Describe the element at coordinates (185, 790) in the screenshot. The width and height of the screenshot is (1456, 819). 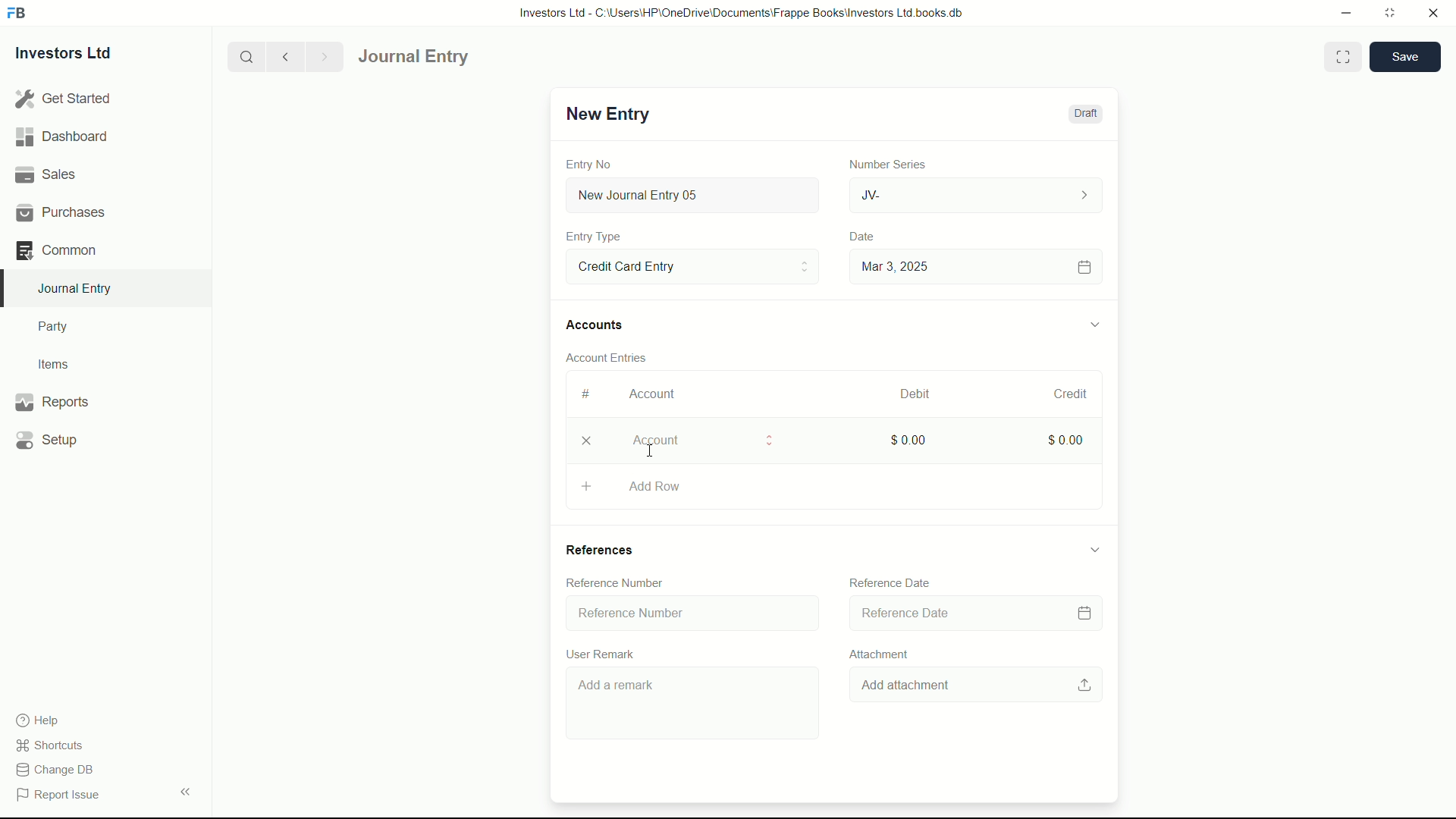
I see `expand/collapse` at that location.